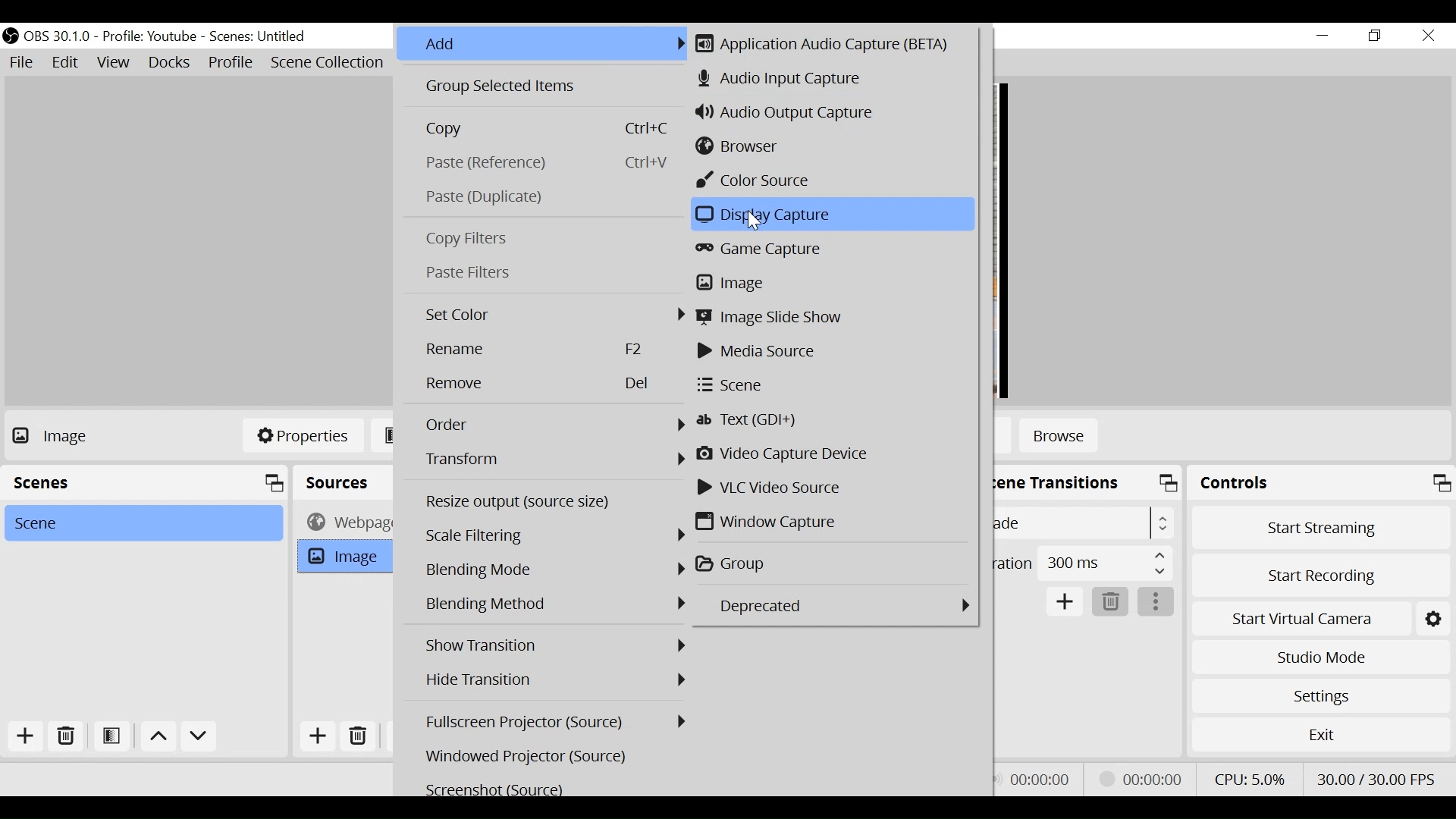 Image resolution: width=1456 pixels, height=819 pixels. What do you see at coordinates (554, 459) in the screenshot?
I see `Transform` at bounding box center [554, 459].